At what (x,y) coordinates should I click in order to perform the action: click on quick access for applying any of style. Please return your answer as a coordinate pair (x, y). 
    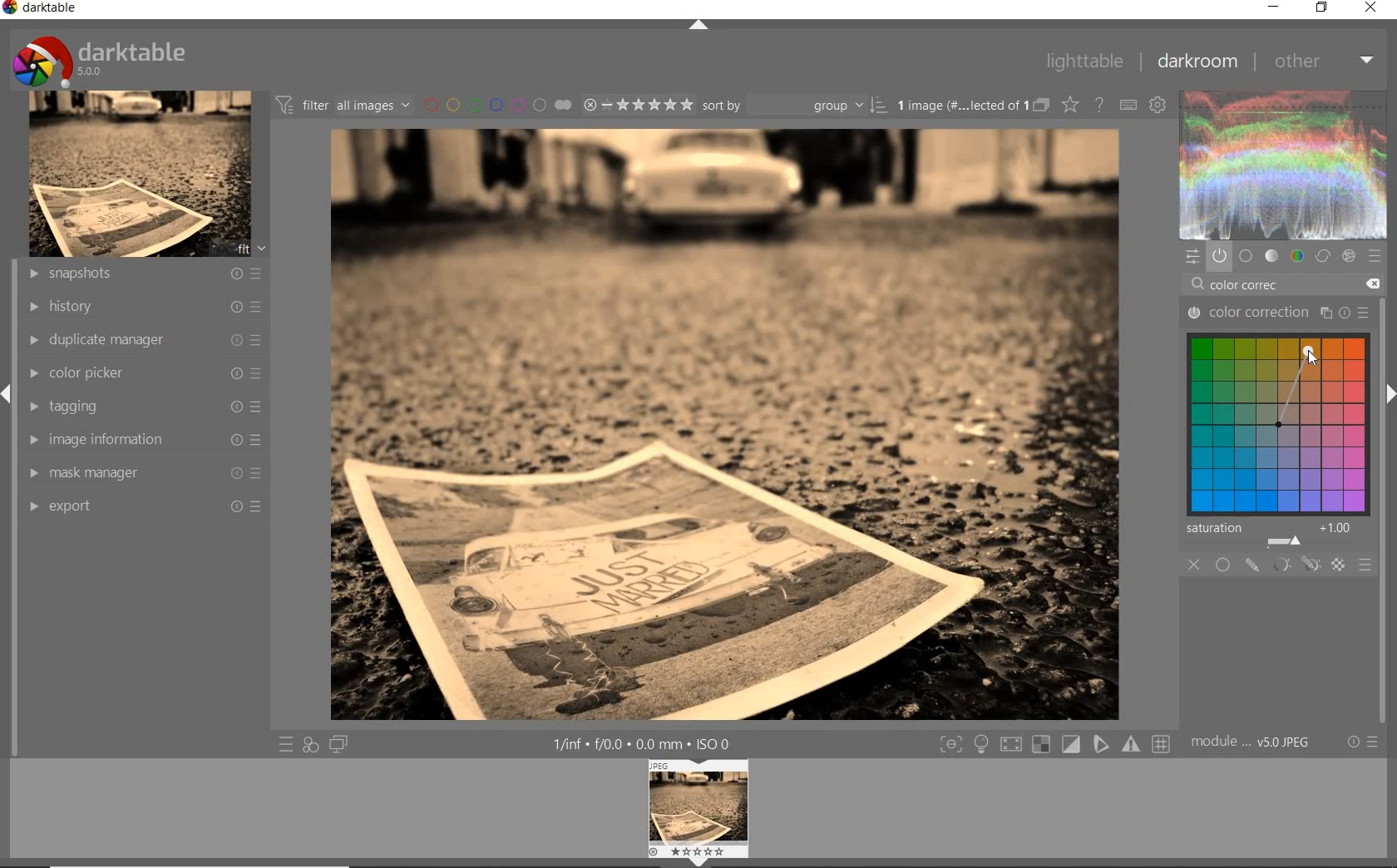
    Looking at the image, I should click on (310, 744).